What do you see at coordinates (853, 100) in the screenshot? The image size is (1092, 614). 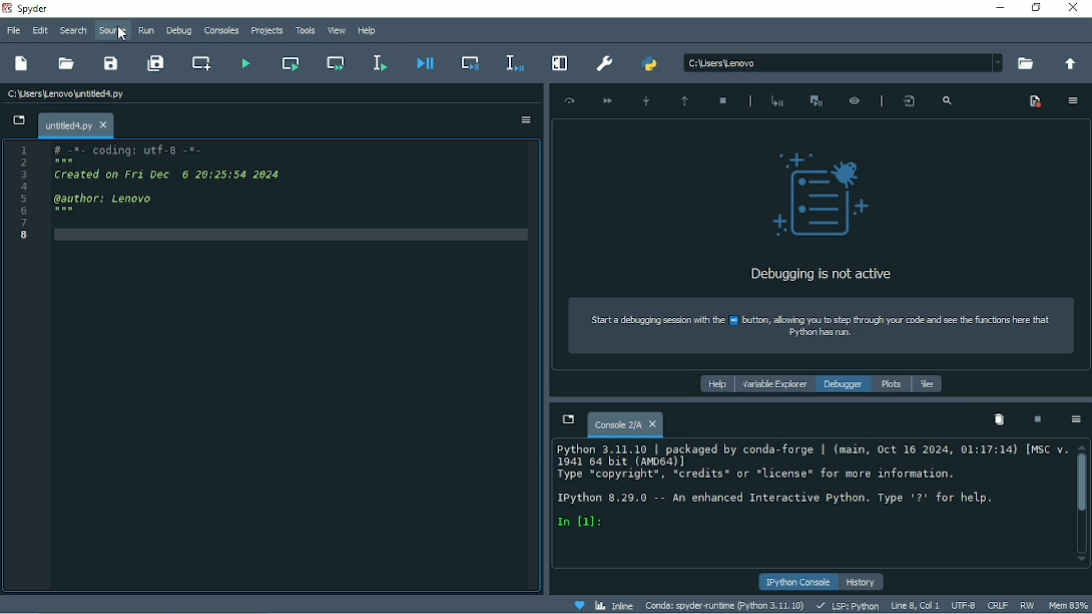 I see `Inspect execution` at bounding box center [853, 100].